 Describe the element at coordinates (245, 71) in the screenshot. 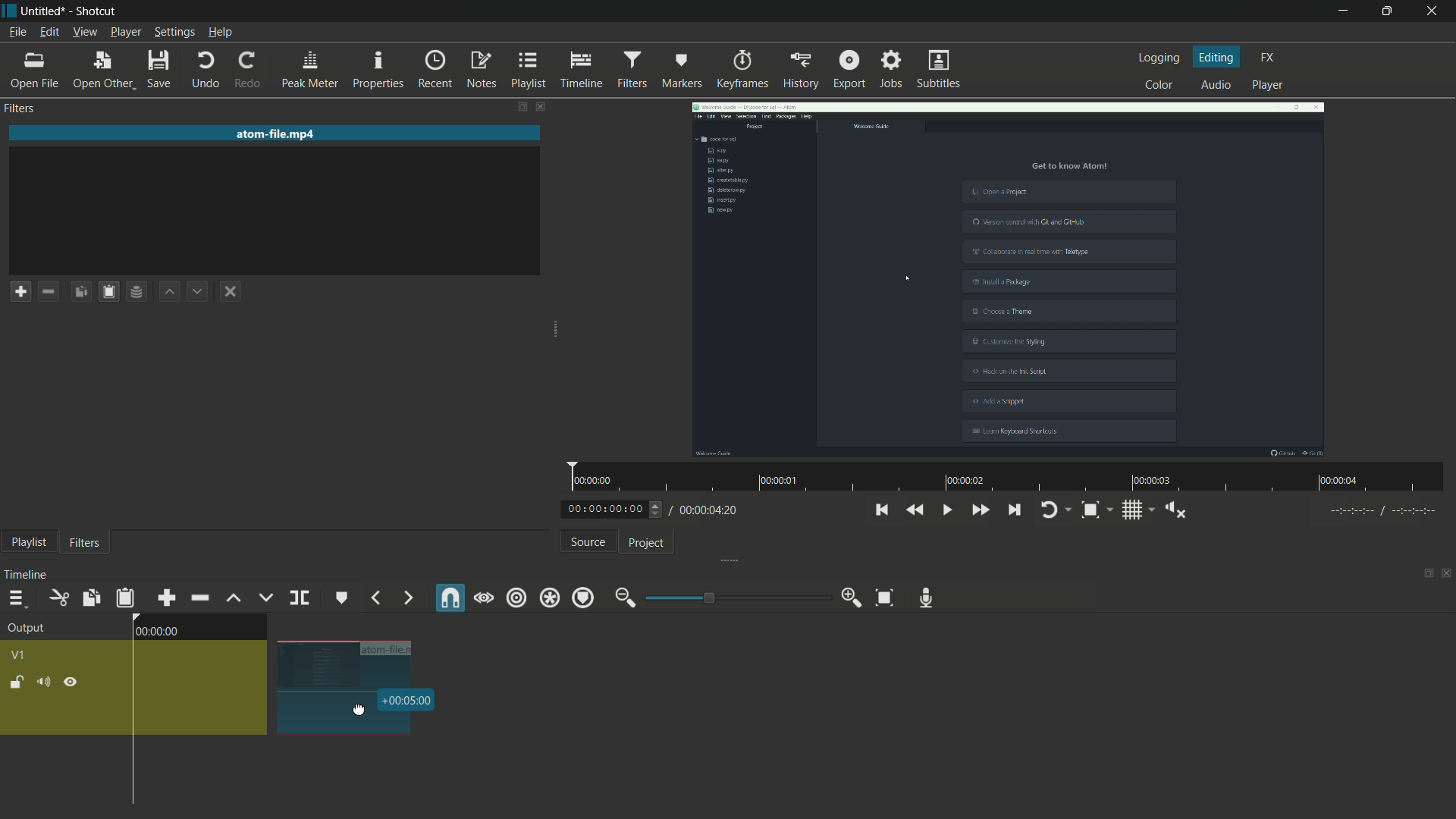

I see `redo` at that location.